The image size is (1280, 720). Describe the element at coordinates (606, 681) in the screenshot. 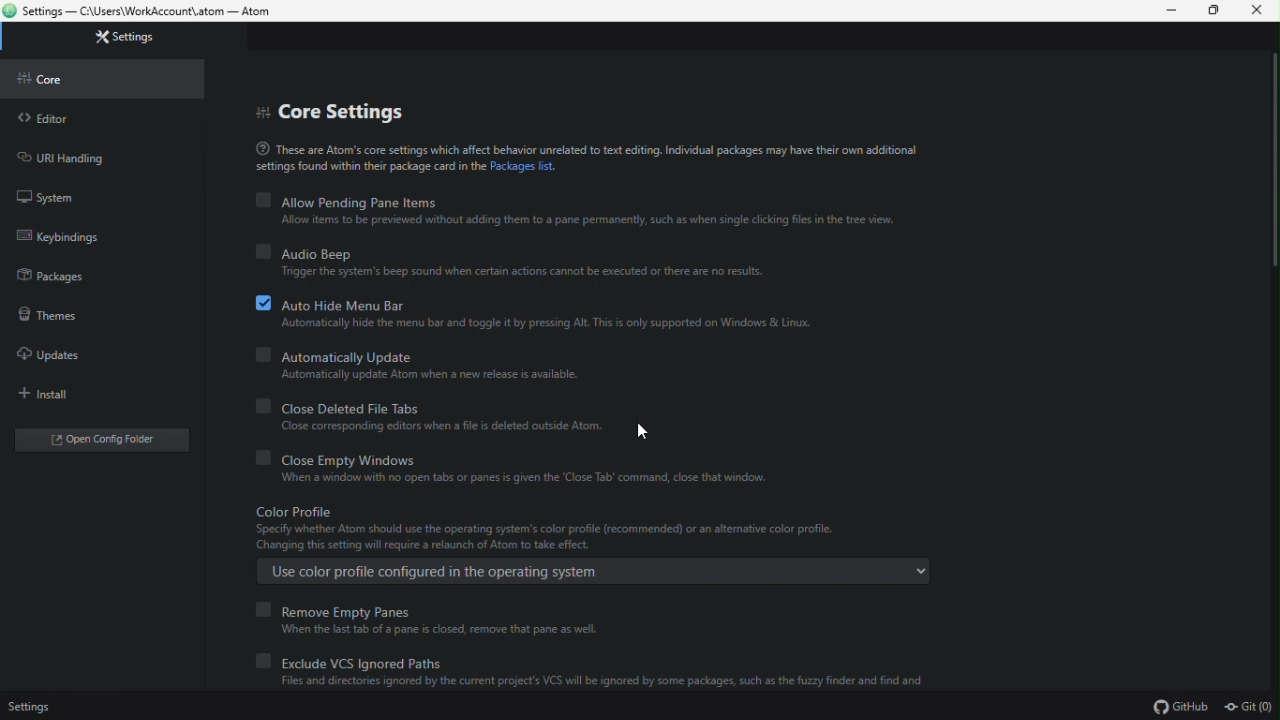

I see `Files and directories ignored by the current project's VCS will be ignored by some packages, such as the fuzzy finder and find and` at that location.